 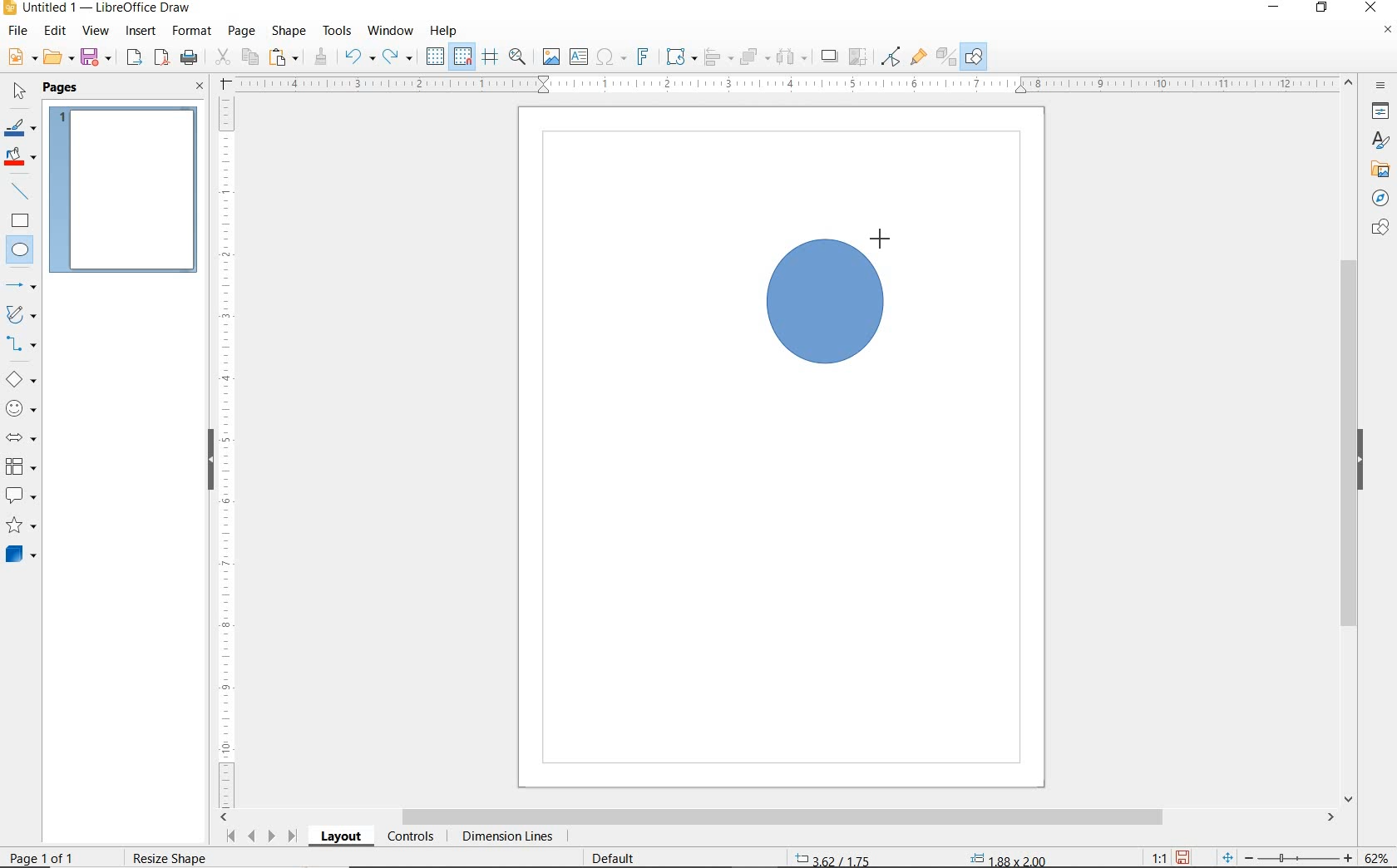 What do you see at coordinates (62, 87) in the screenshot?
I see `PAGES` at bounding box center [62, 87].